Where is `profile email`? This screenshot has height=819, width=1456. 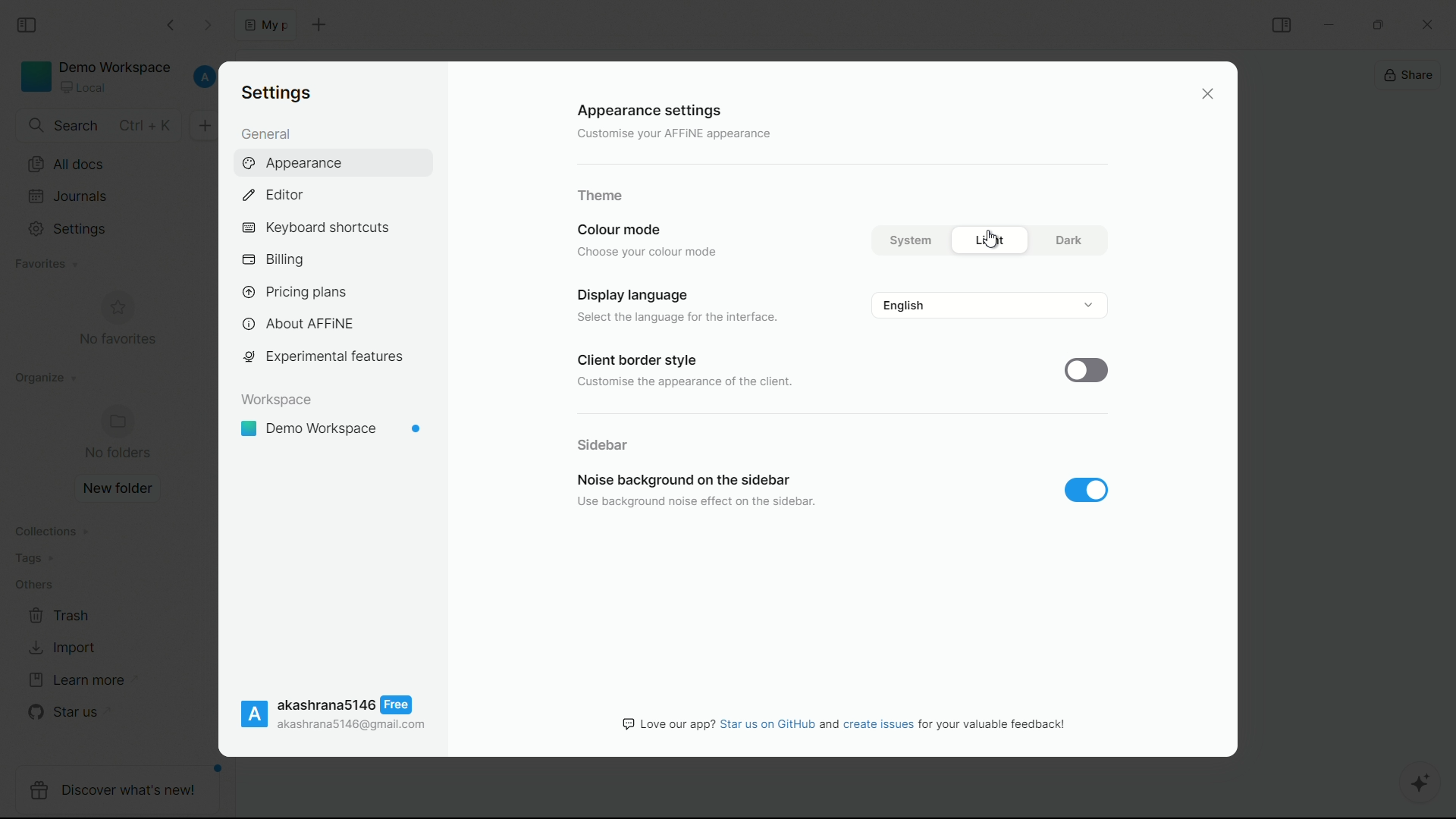
profile email is located at coordinates (353, 726).